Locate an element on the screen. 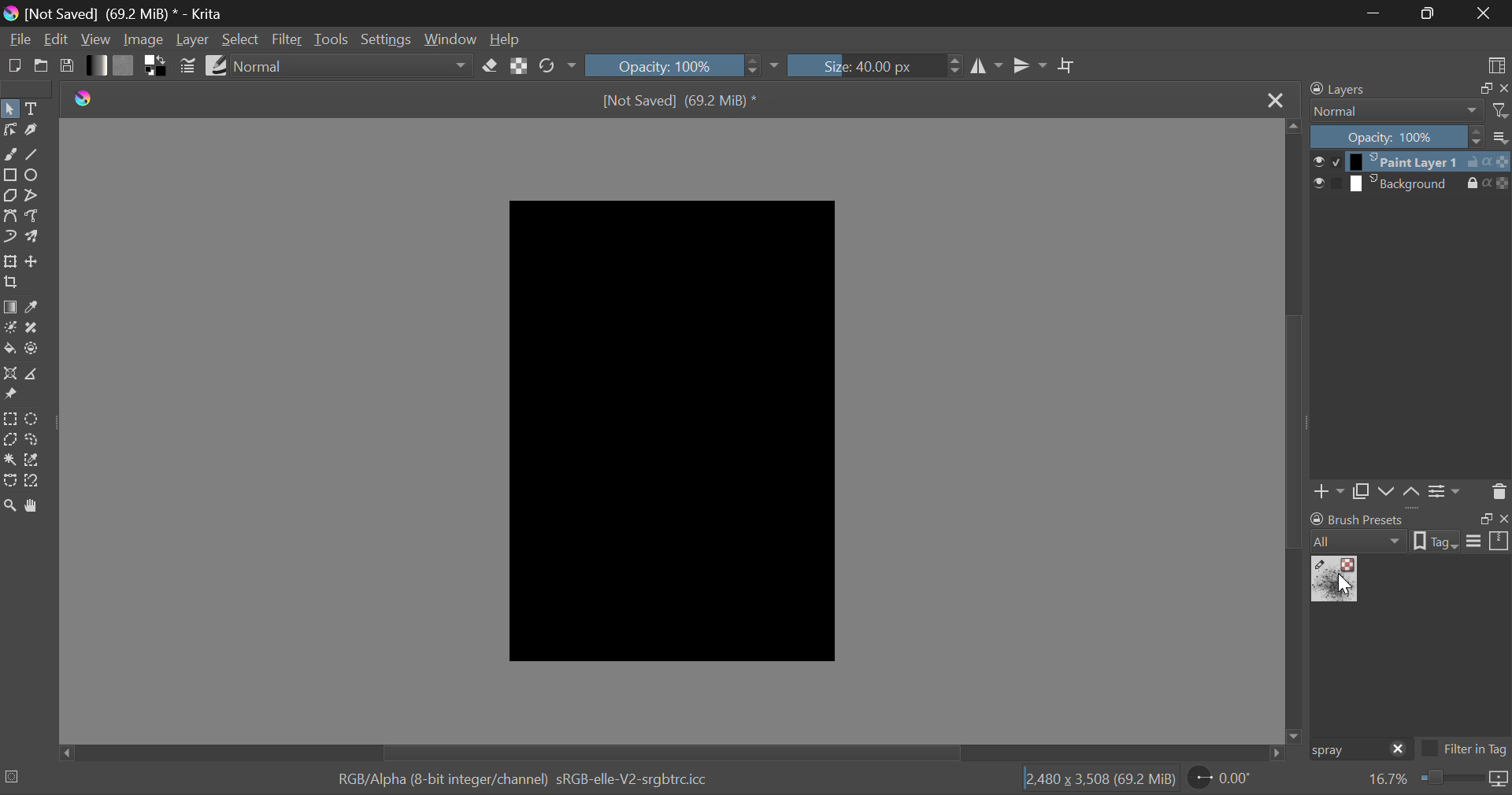  12,480 x 3,508 (69.2 MiB) is located at coordinates (1100, 778).